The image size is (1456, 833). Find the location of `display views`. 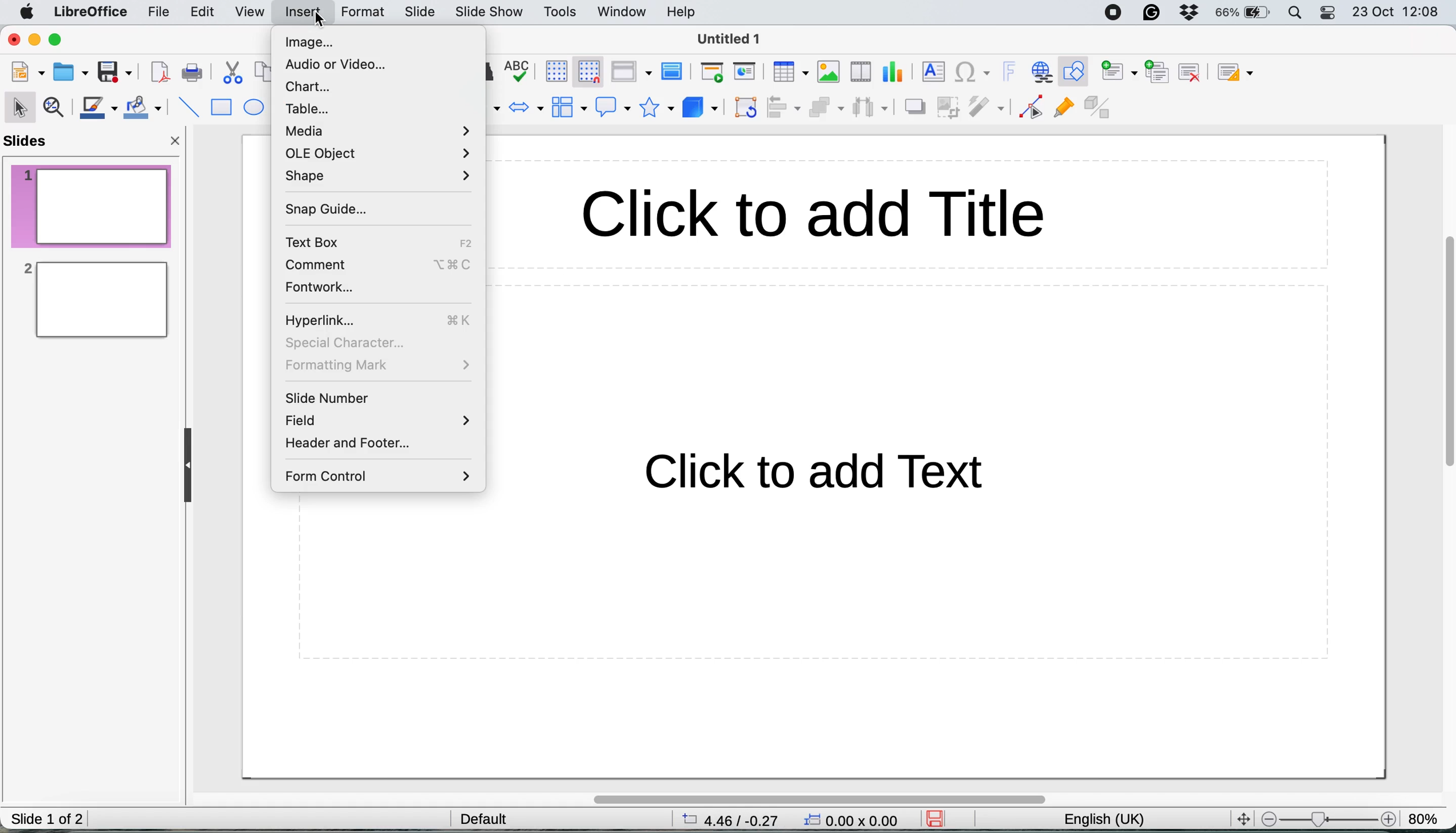

display views is located at coordinates (630, 72).